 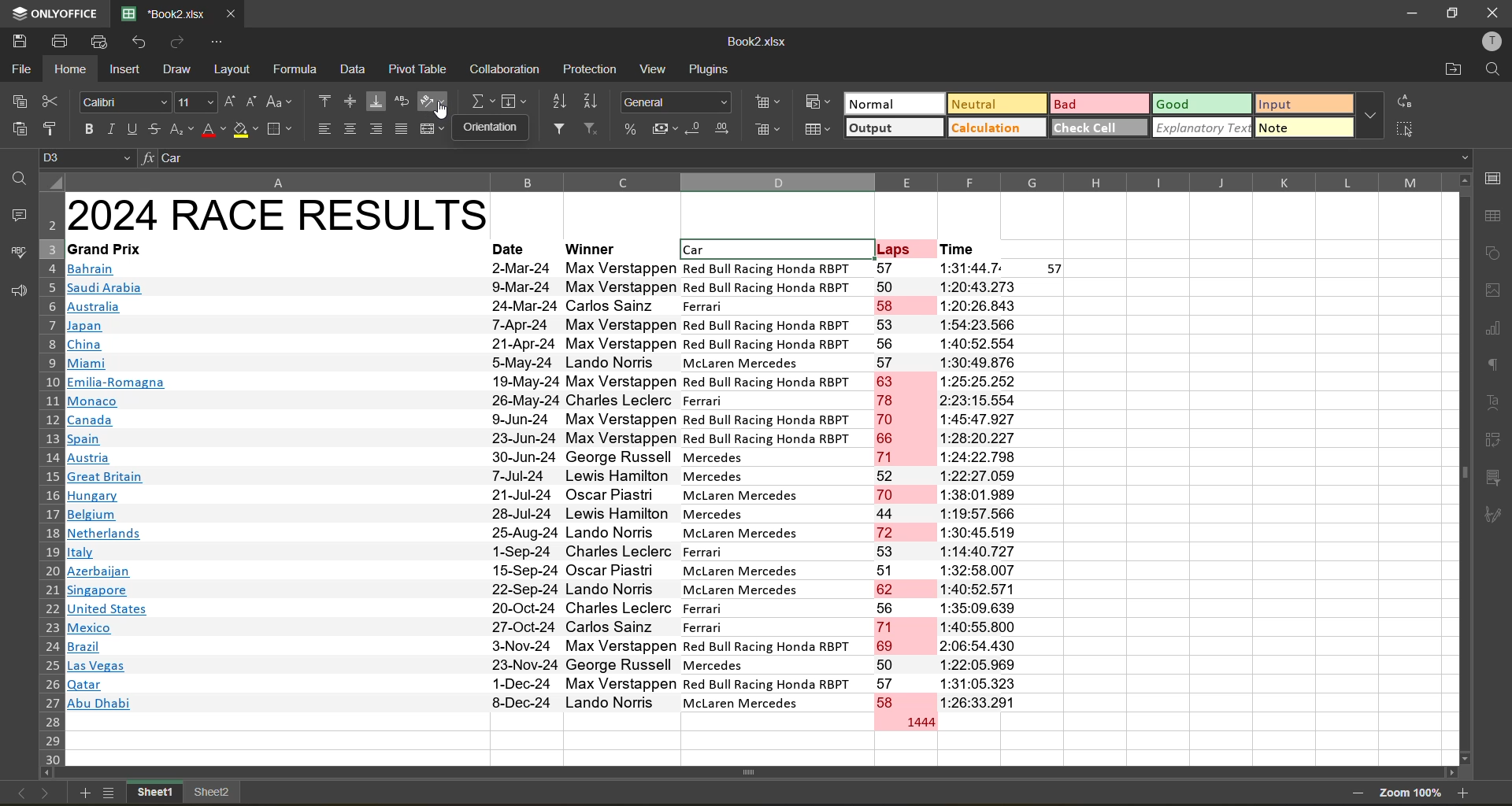 What do you see at coordinates (892, 103) in the screenshot?
I see `normal` at bounding box center [892, 103].